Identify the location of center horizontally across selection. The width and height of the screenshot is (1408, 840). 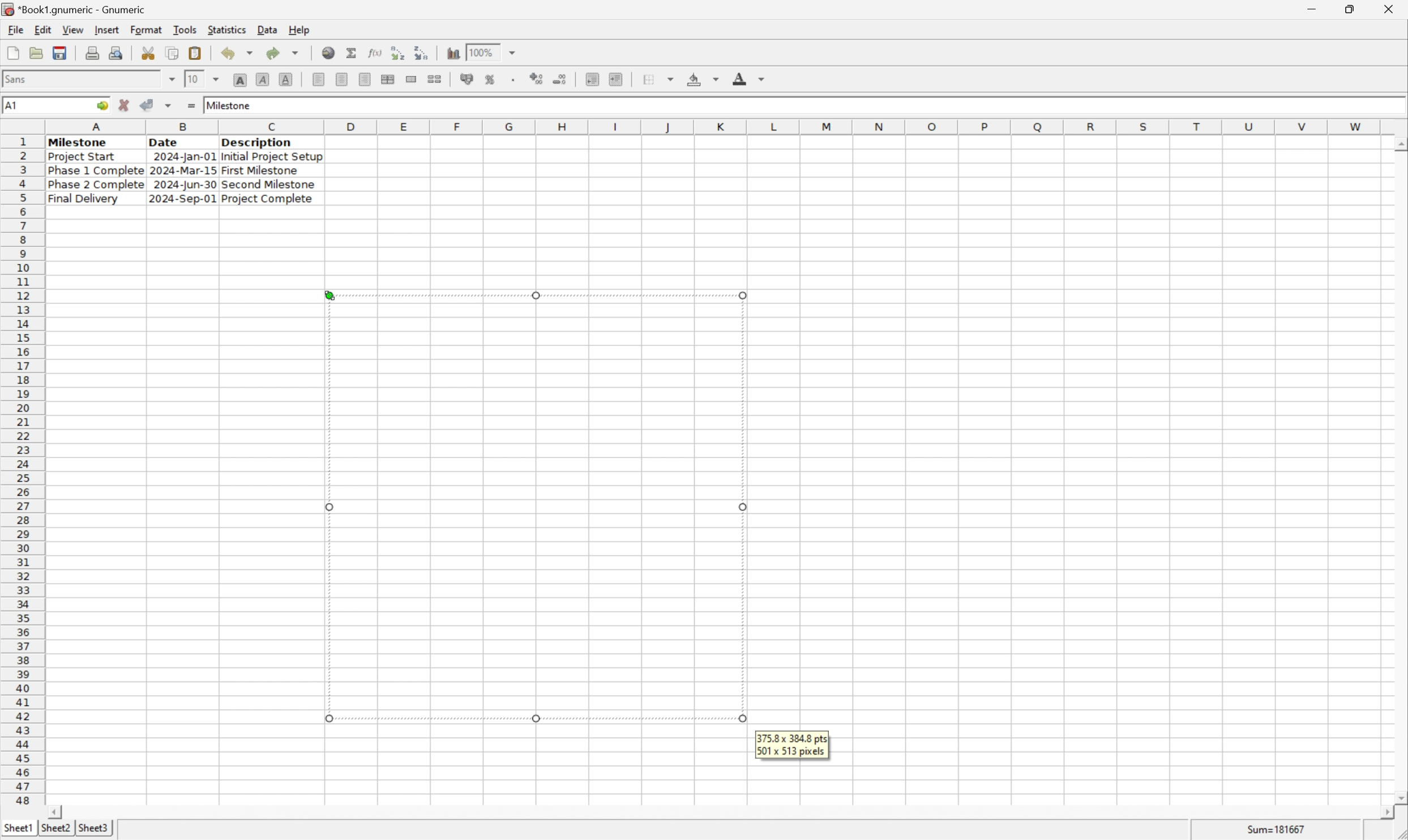
(388, 79).